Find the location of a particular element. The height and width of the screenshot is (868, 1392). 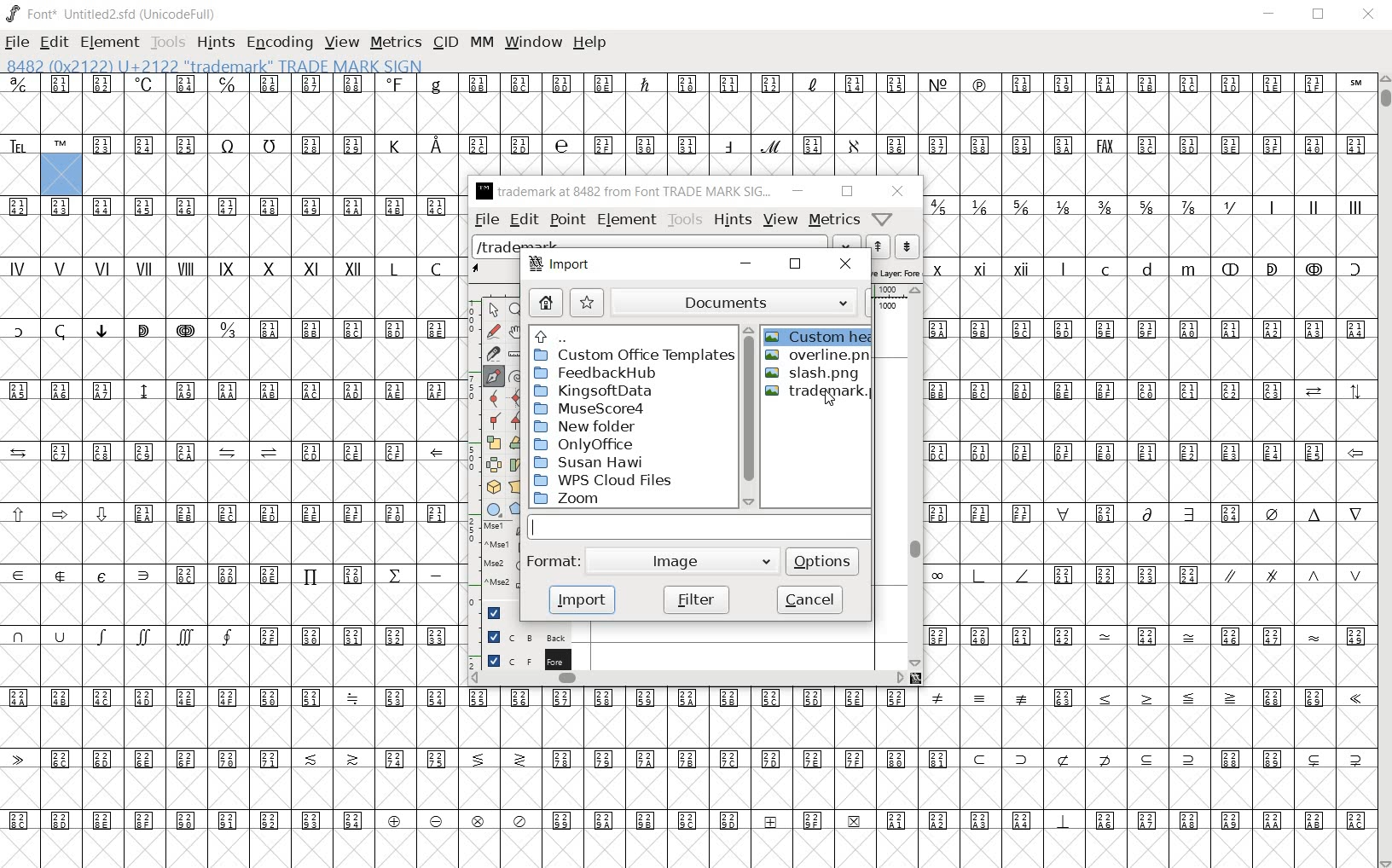

font* Untitled2.sfd (unicodeFull) is located at coordinates (110, 14).